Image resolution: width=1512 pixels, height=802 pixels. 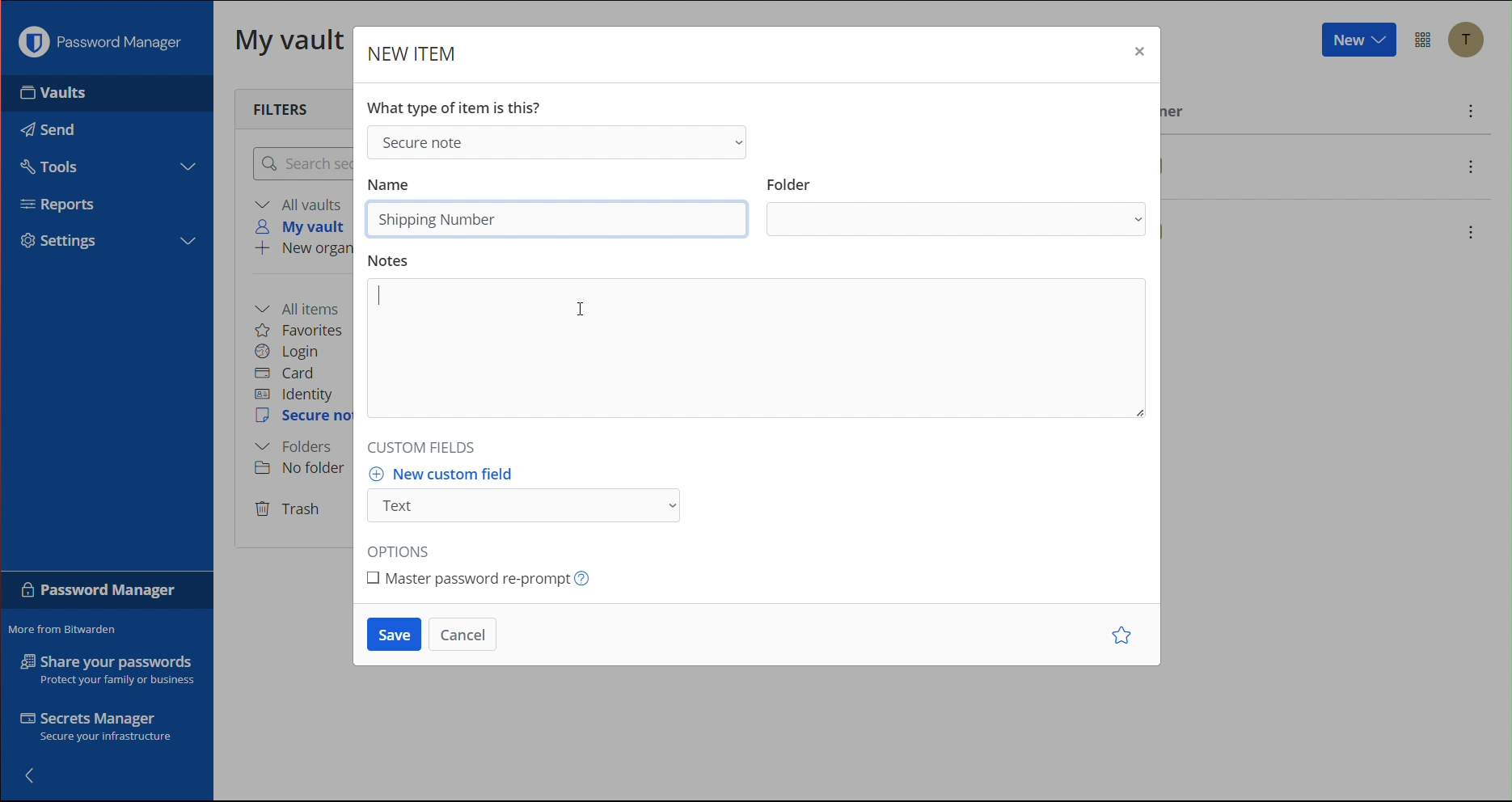 What do you see at coordinates (563, 142) in the screenshot?
I see `Secure note` at bounding box center [563, 142].